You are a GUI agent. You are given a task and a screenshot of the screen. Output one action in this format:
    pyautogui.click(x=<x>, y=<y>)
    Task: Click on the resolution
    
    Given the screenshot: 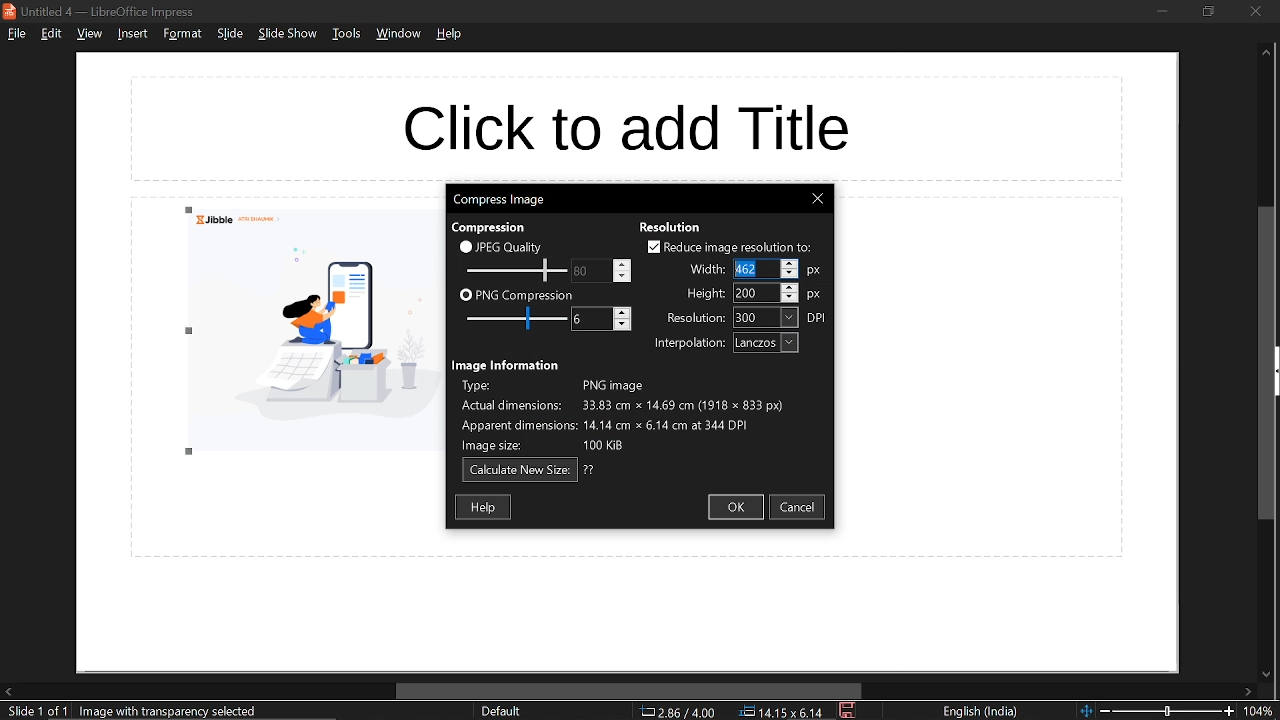 What is the action you would take?
    pyautogui.click(x=691, y=319)
    